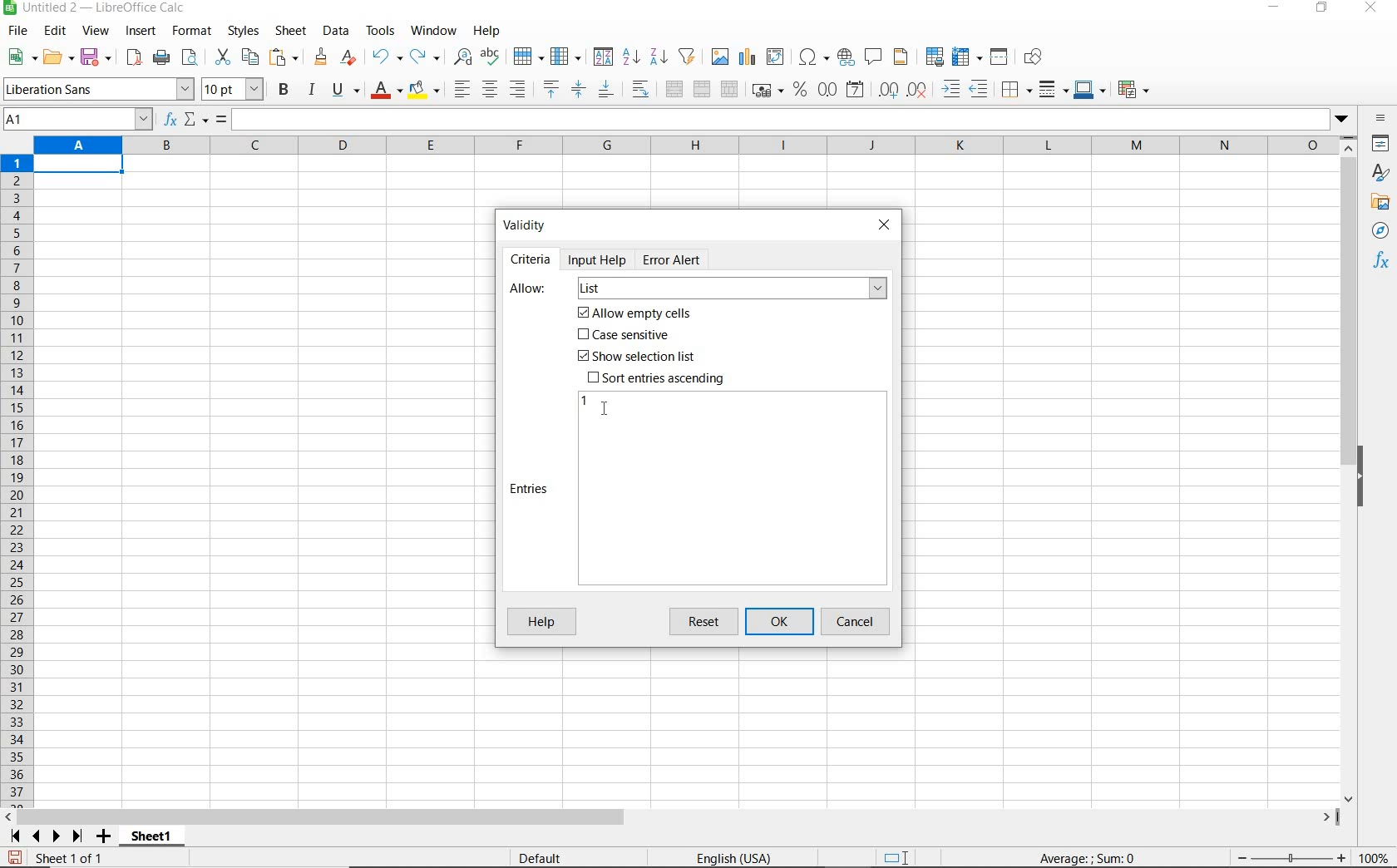 This screenshot has height=868, width=1397. Describe the element at coordinates (423, 91) in the screenshot. I see `background color` at that location.